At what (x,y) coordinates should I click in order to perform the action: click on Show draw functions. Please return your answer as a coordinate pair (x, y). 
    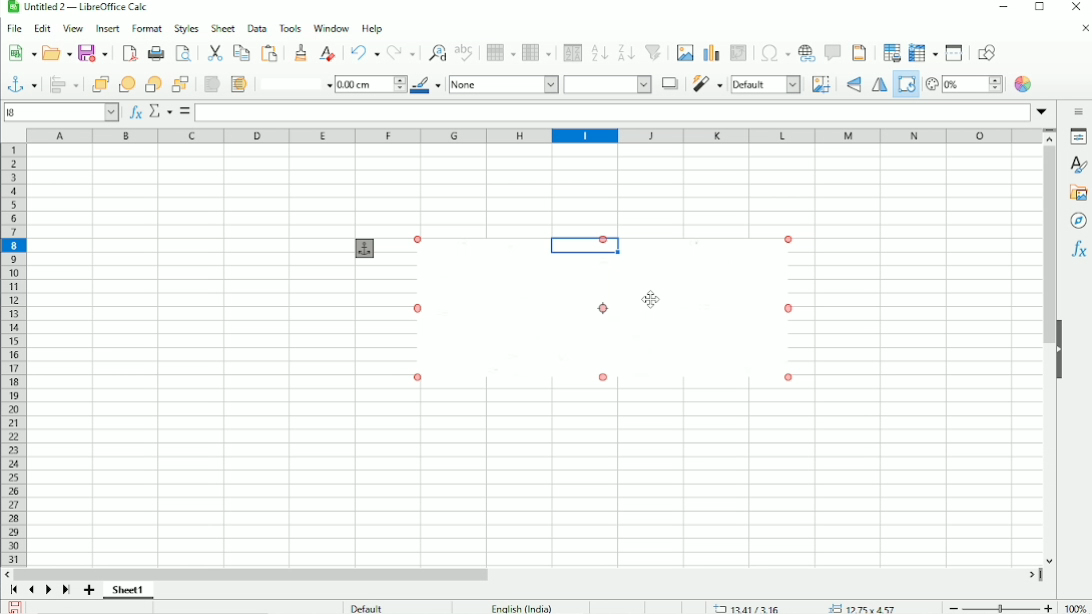
    Looking at the image, I should click on (987, 52).